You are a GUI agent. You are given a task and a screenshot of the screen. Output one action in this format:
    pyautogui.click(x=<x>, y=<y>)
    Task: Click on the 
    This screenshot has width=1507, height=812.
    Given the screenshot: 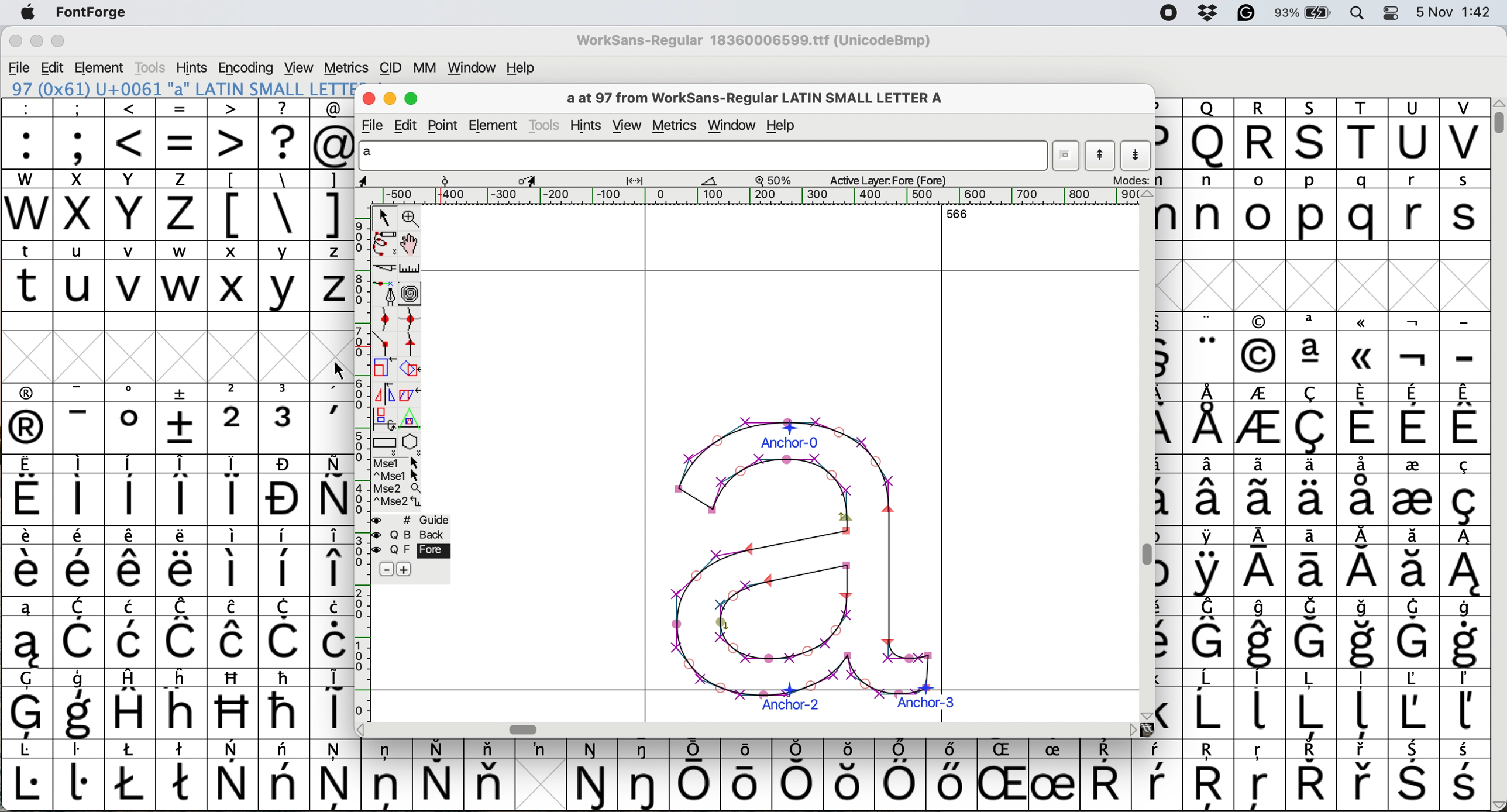 What is the action you would take?
    pyautogui.click(x=1004, y=775)
    